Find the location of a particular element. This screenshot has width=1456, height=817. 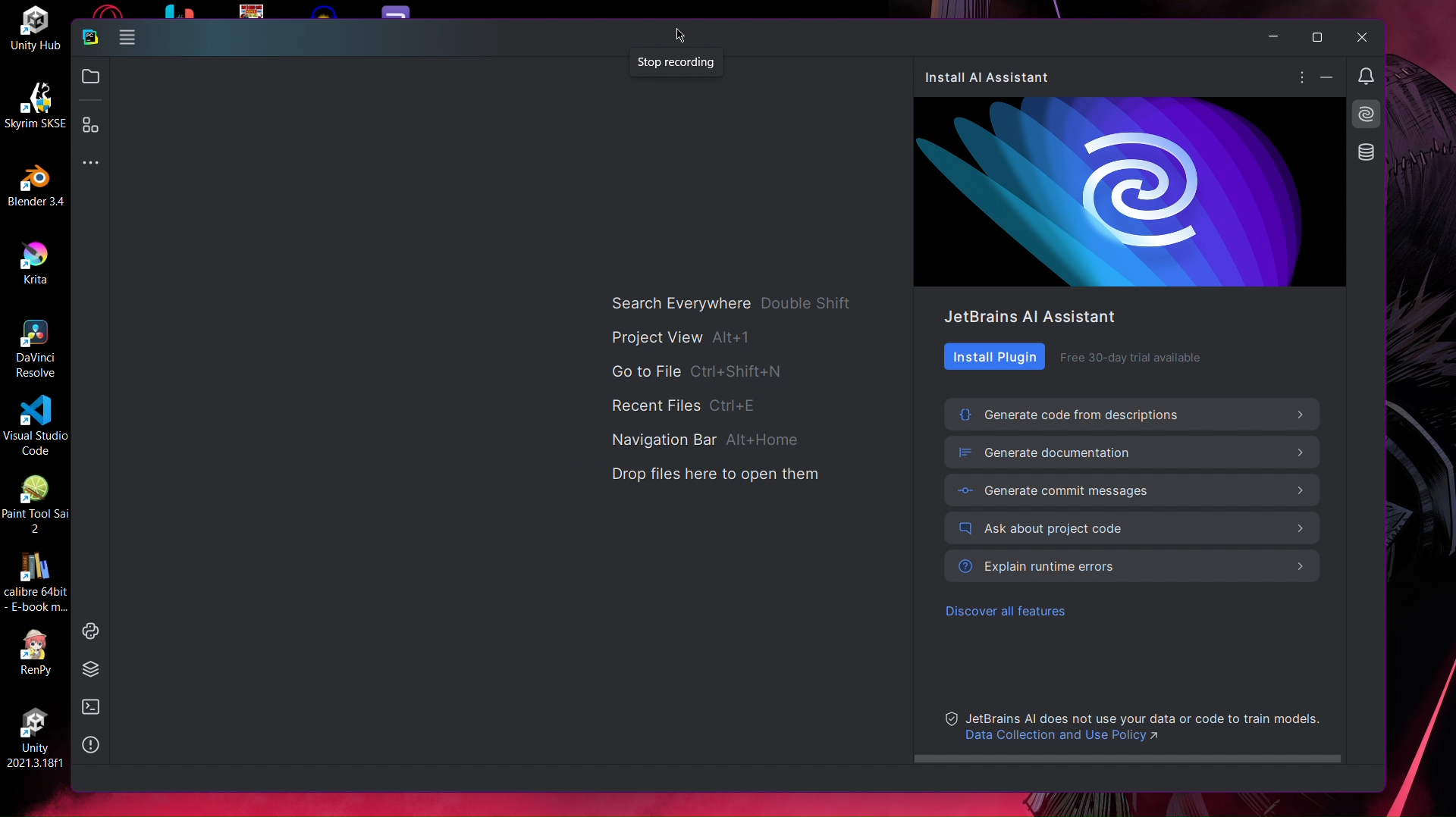

More is located at coordinates (1302, 78).